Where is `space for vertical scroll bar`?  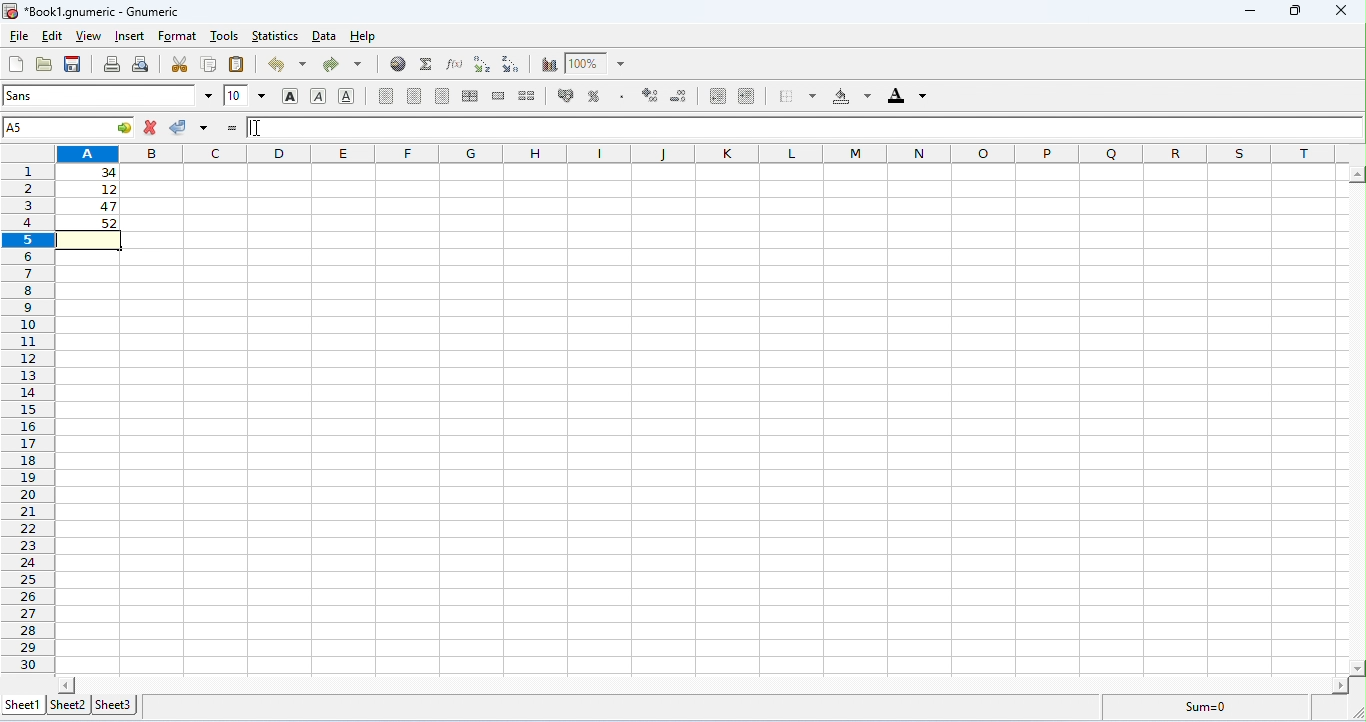
space for vertical scroll bar is located at coordinates (1356, 411).